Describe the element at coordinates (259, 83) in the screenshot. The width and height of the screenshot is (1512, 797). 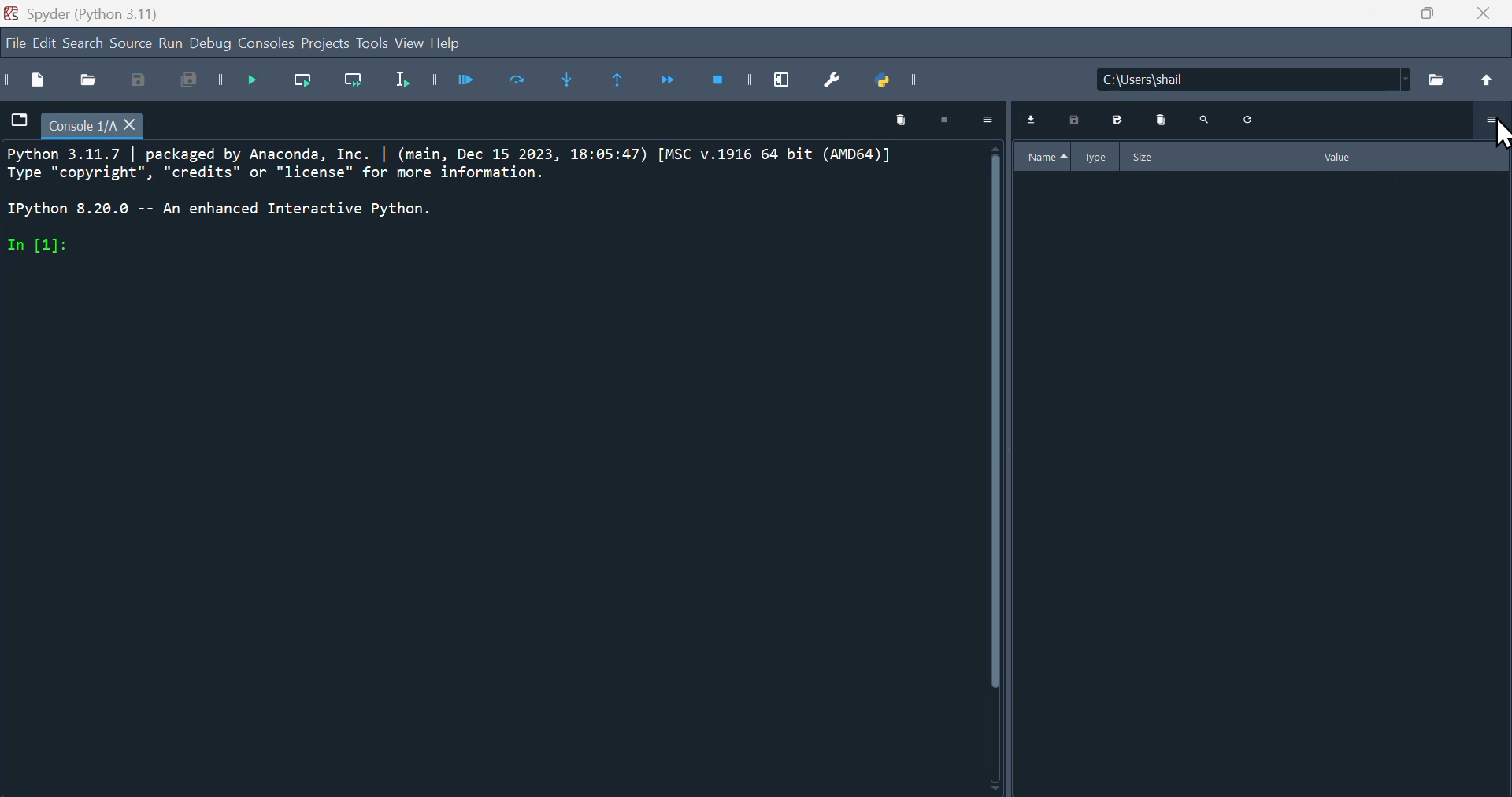
I see `Debug file` at that location.